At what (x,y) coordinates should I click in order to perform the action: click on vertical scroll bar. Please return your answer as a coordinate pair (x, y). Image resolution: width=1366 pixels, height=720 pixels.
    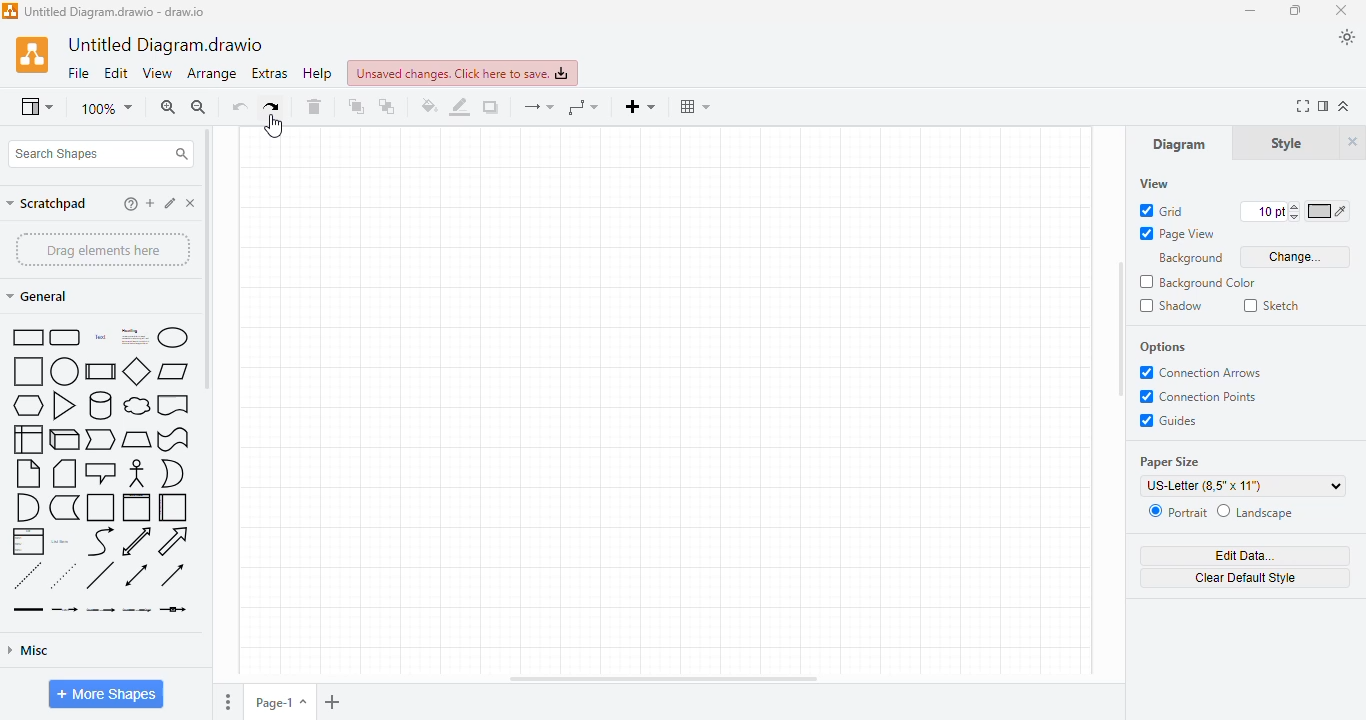
    Looking at the image, I should click on (207, 258).